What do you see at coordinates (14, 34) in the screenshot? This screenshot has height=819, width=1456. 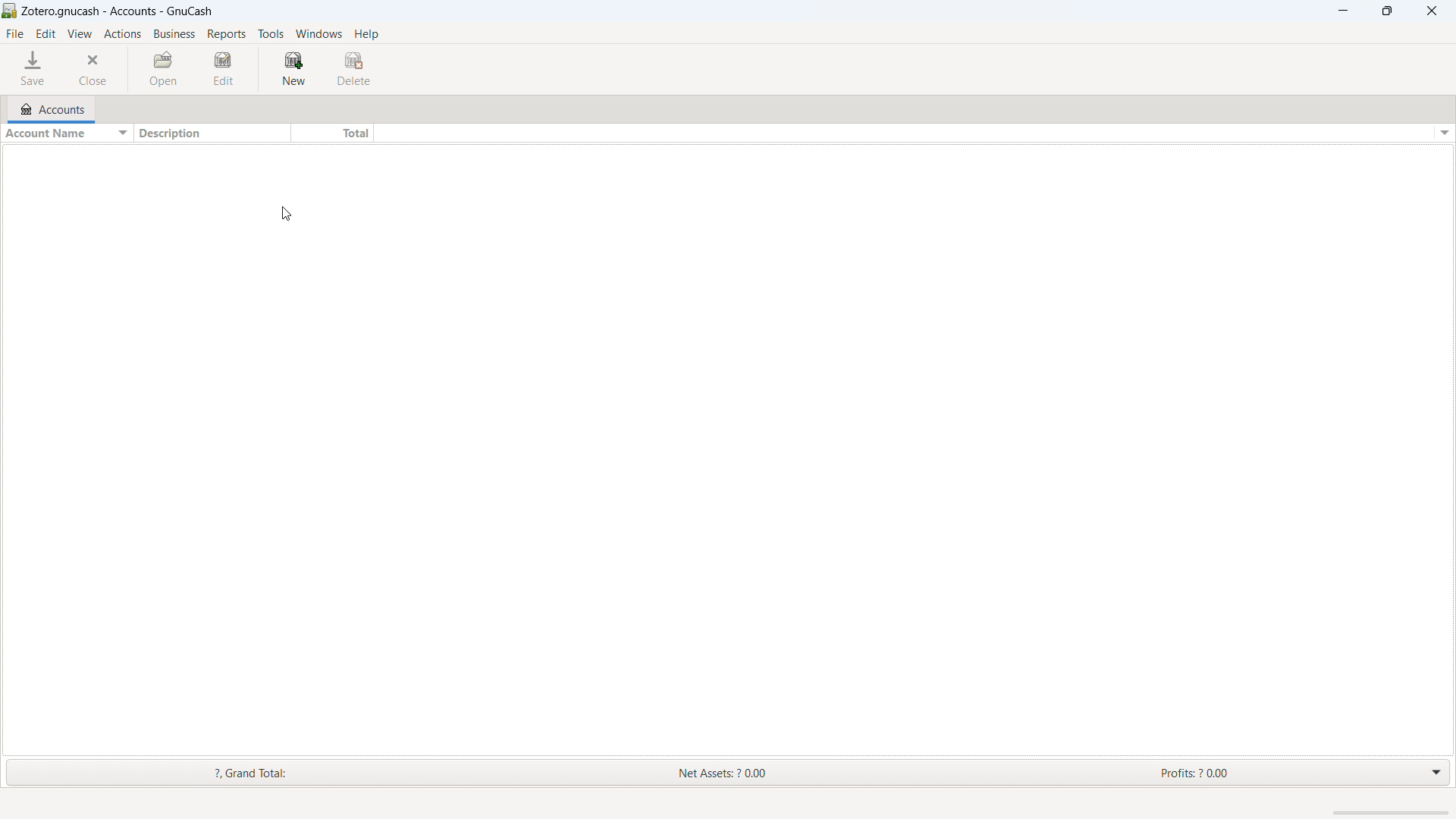 I see `file` at bounding box center [14, 34].